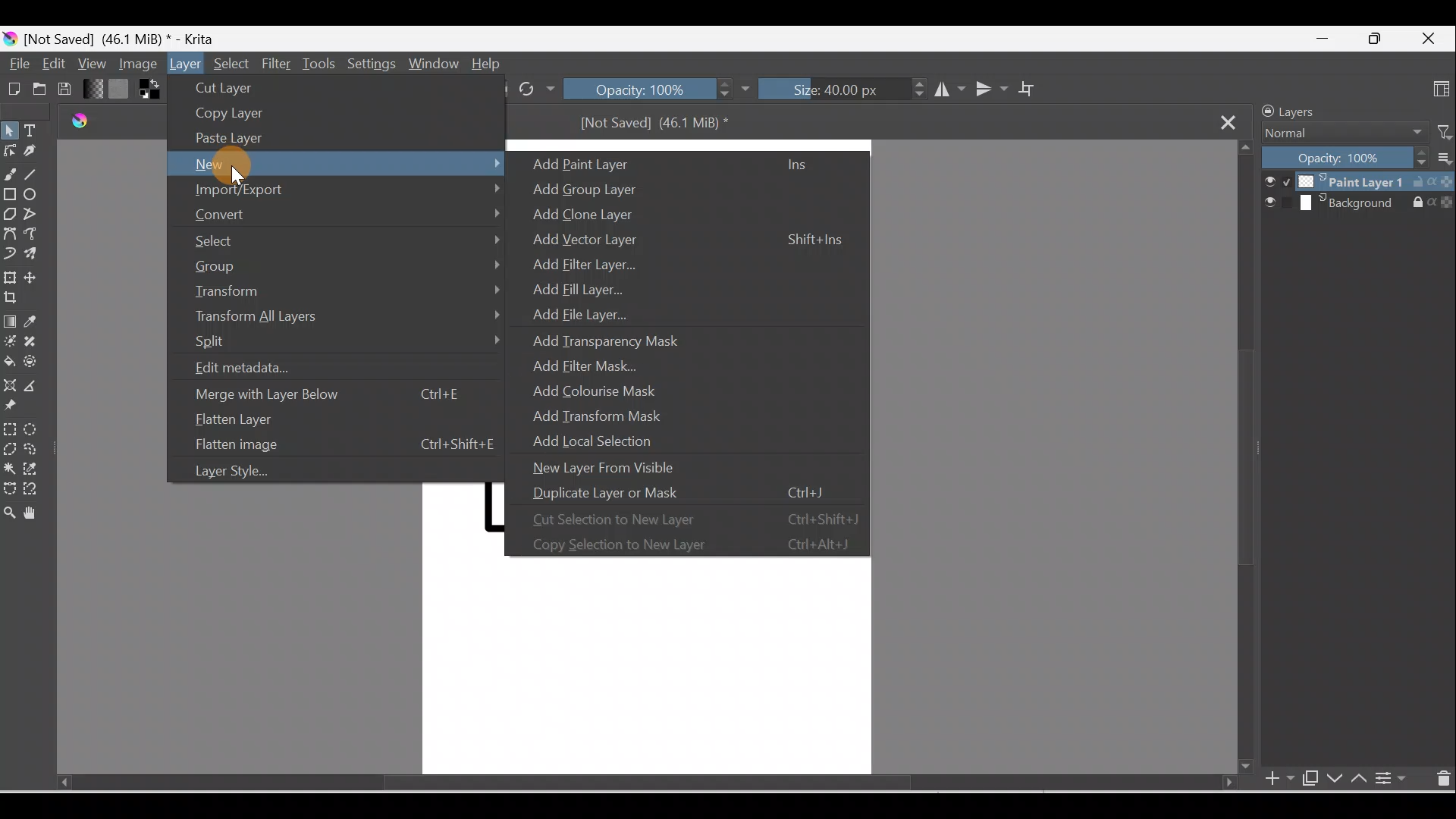  What do you see at coordinates (1362, 780) in the screenshot?
I see `Move layer/mask up` at bounding box center [1362, 780].